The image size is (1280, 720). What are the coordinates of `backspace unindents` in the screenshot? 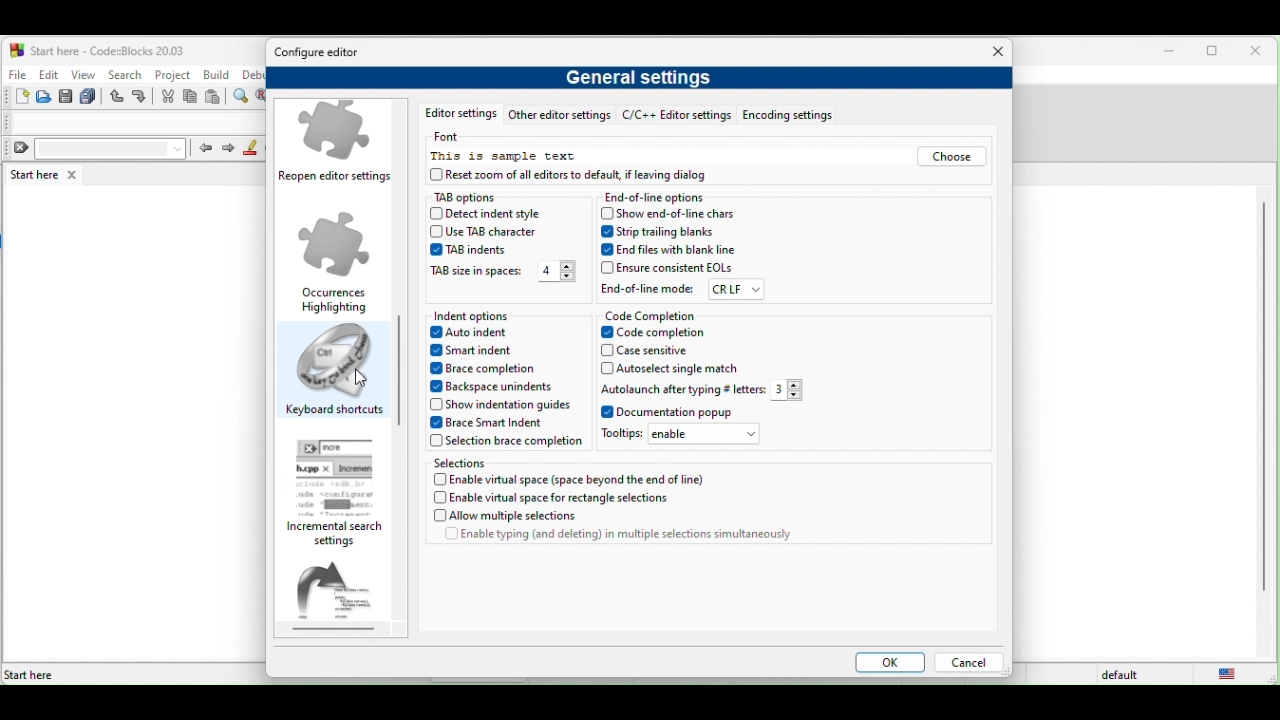 It's located at (499, 386).